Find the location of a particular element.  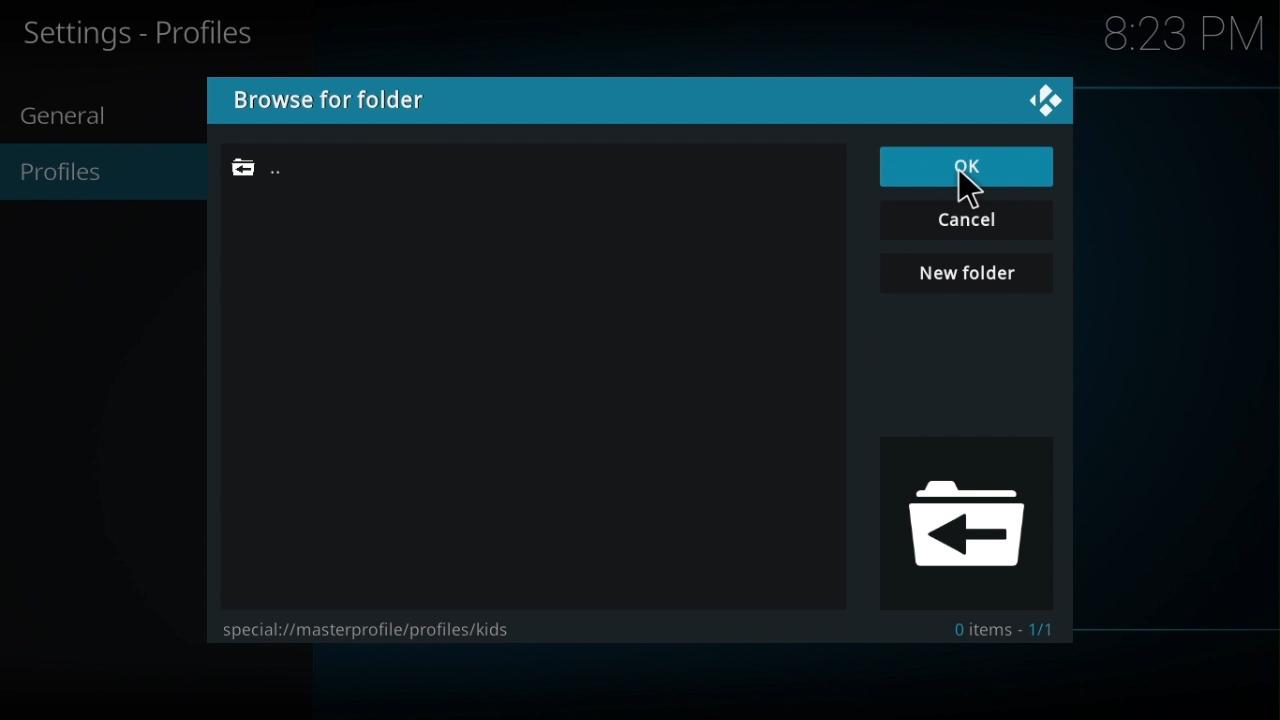

general is located at coordinates (66, 116).